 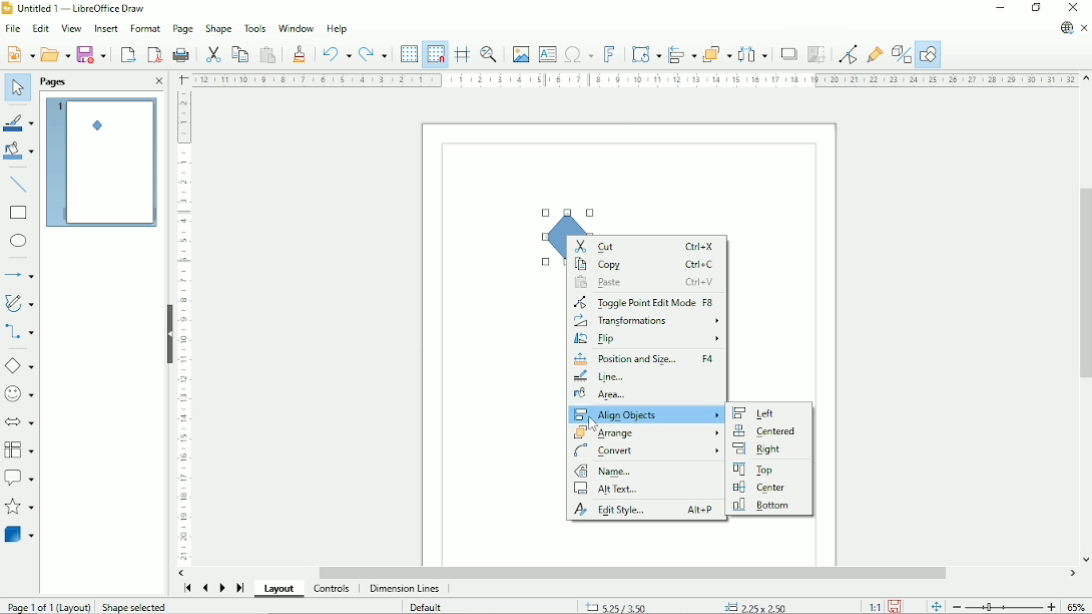 I want to click on Lines and arrows, so click(x=21, y=274).